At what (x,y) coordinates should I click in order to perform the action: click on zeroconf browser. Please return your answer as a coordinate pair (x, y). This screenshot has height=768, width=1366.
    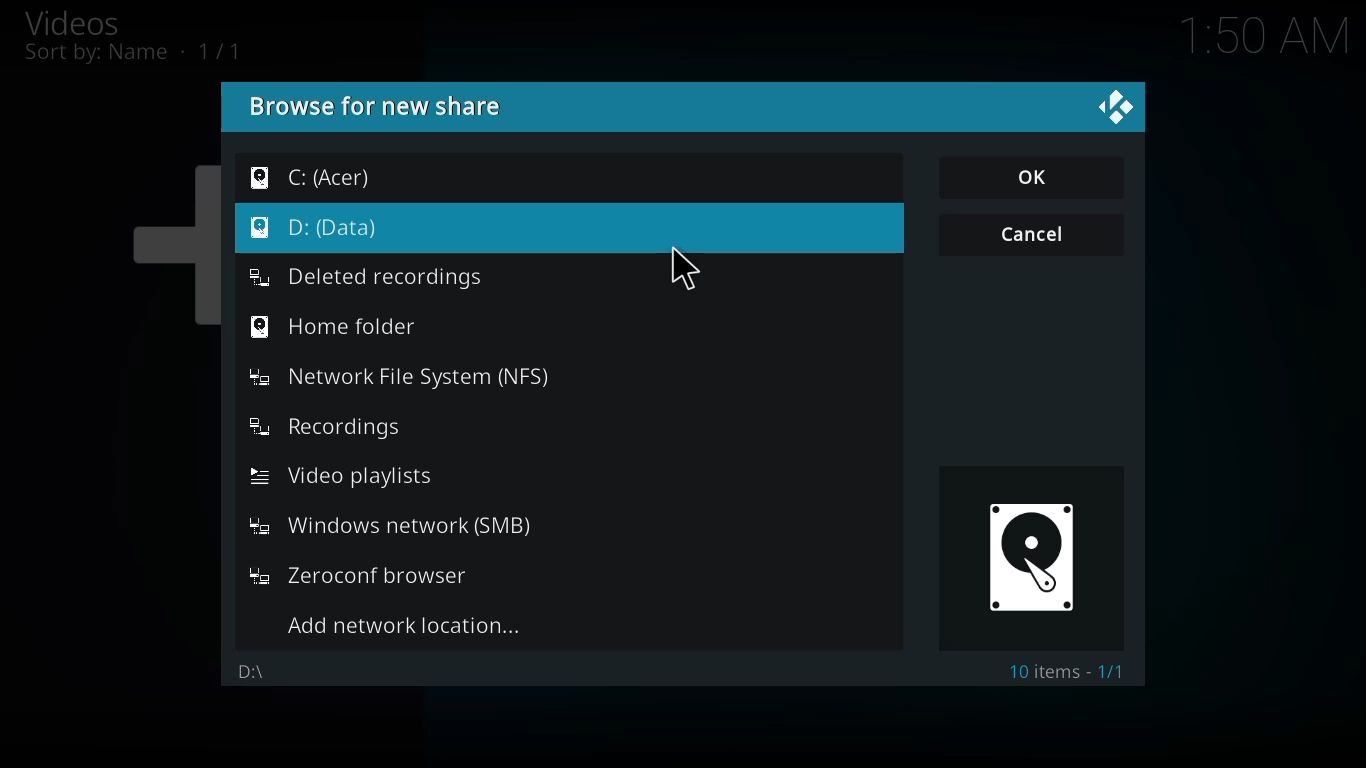
    Looking at the image, I should click on (361, 574).